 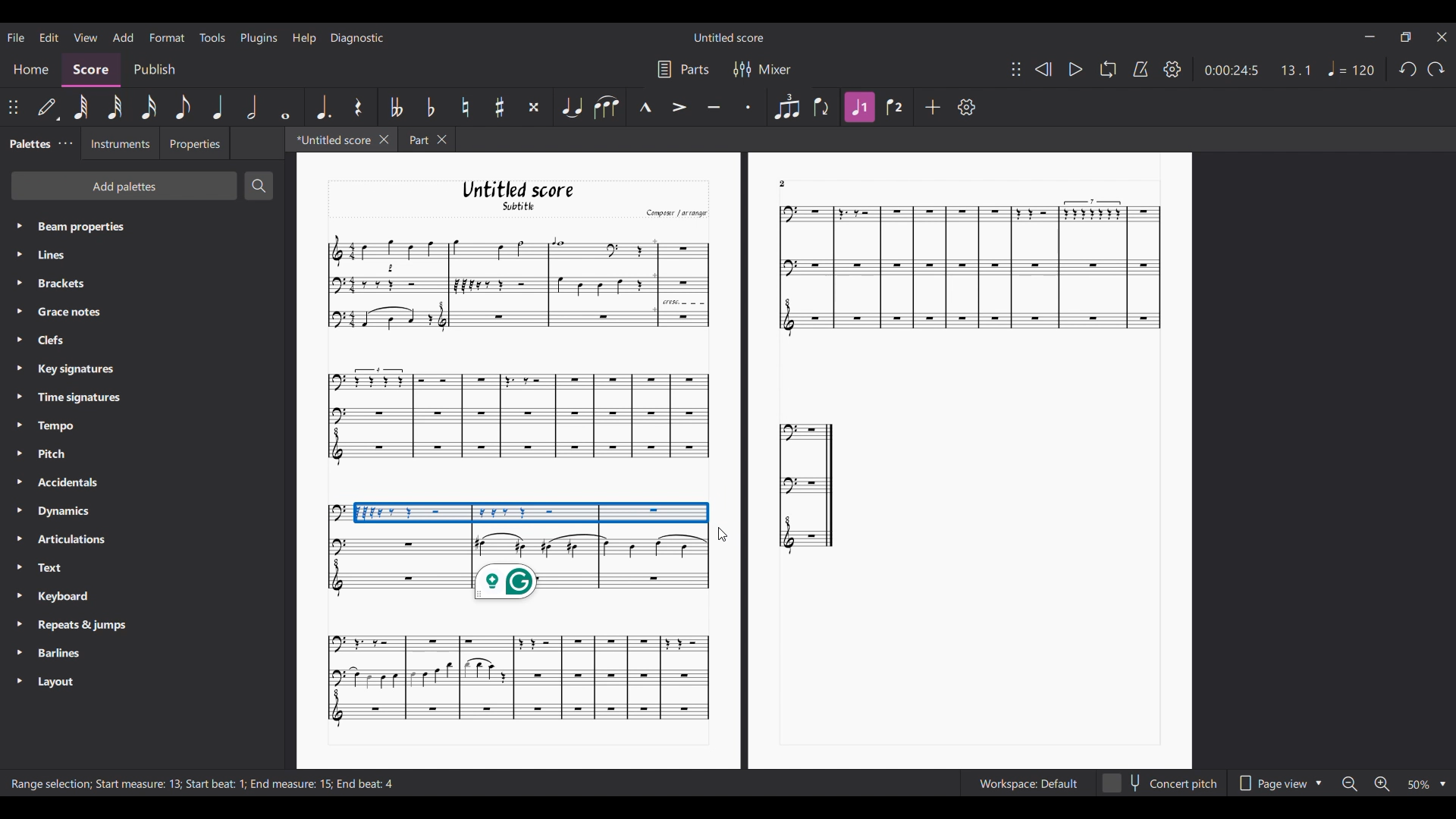 What do you see at coordinates (1408, 70) in the screenshot?
I see `Undo` at bounding box center [1408, 70].